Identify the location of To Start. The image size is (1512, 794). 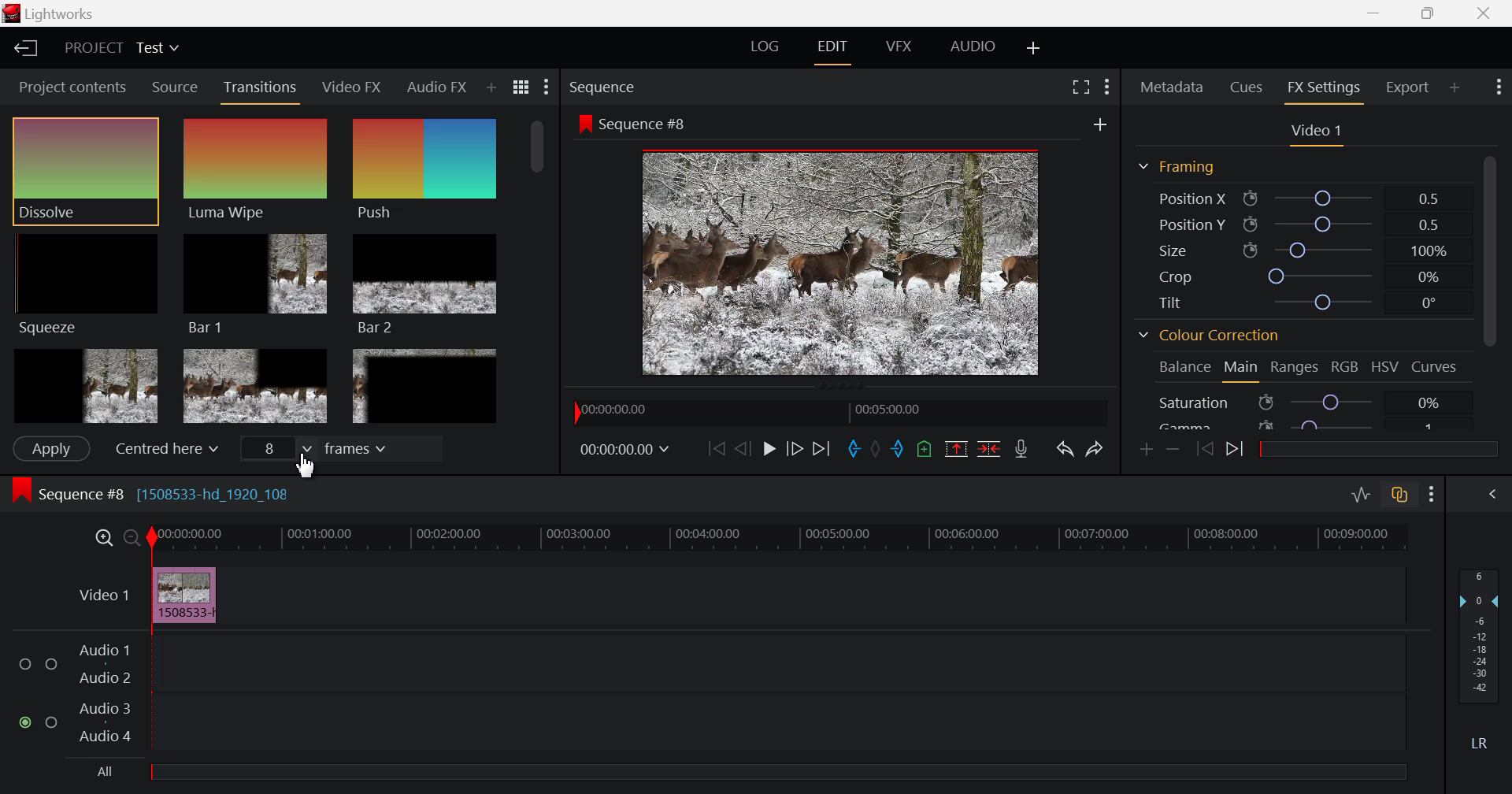
(714, 449).